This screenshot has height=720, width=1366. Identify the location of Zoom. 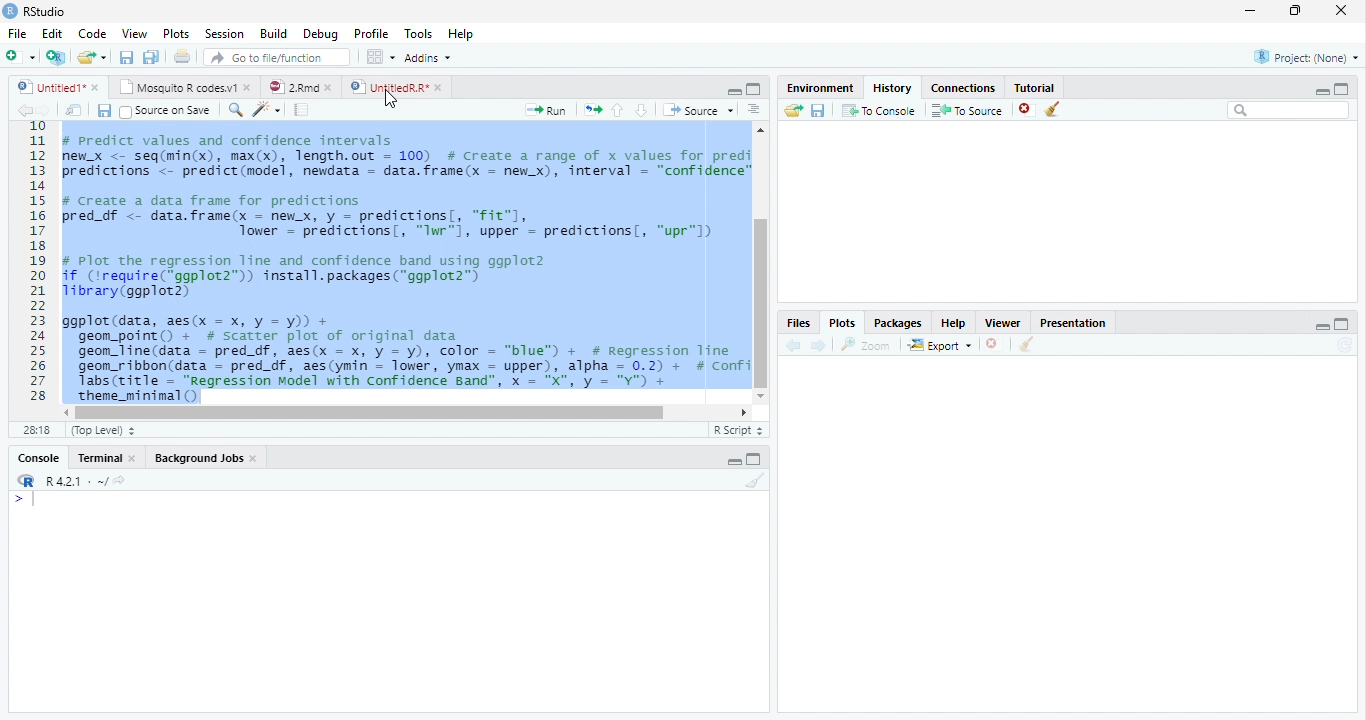
(235, 112).